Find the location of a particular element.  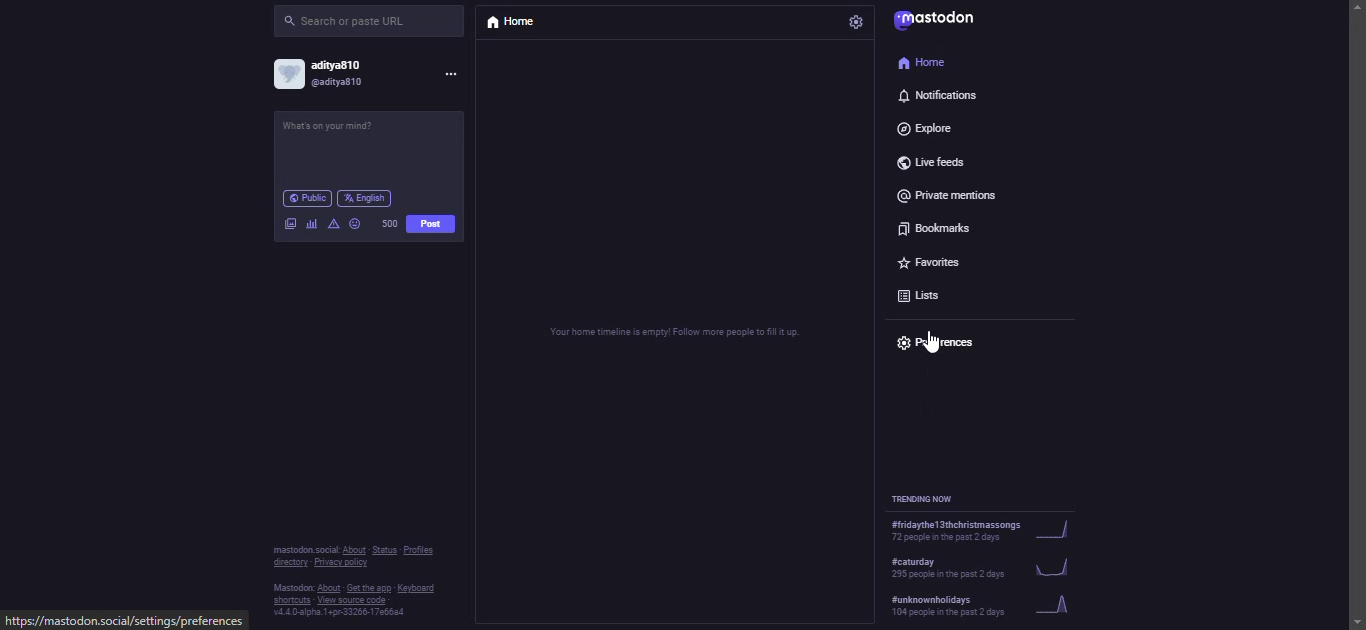

private mentions is located at coordinates (954, 197).